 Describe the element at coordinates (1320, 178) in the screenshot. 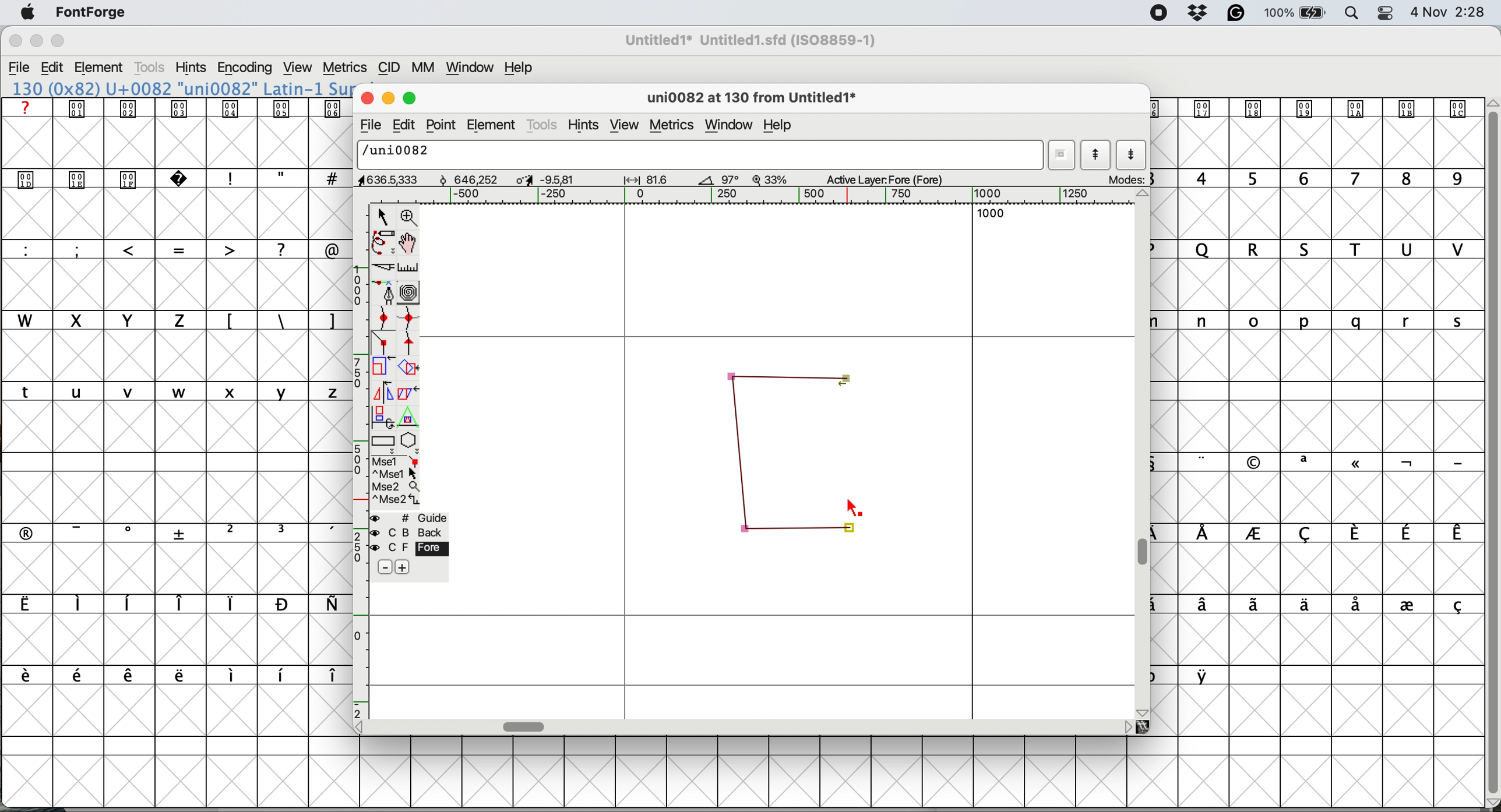

I see `numbers` at that location.